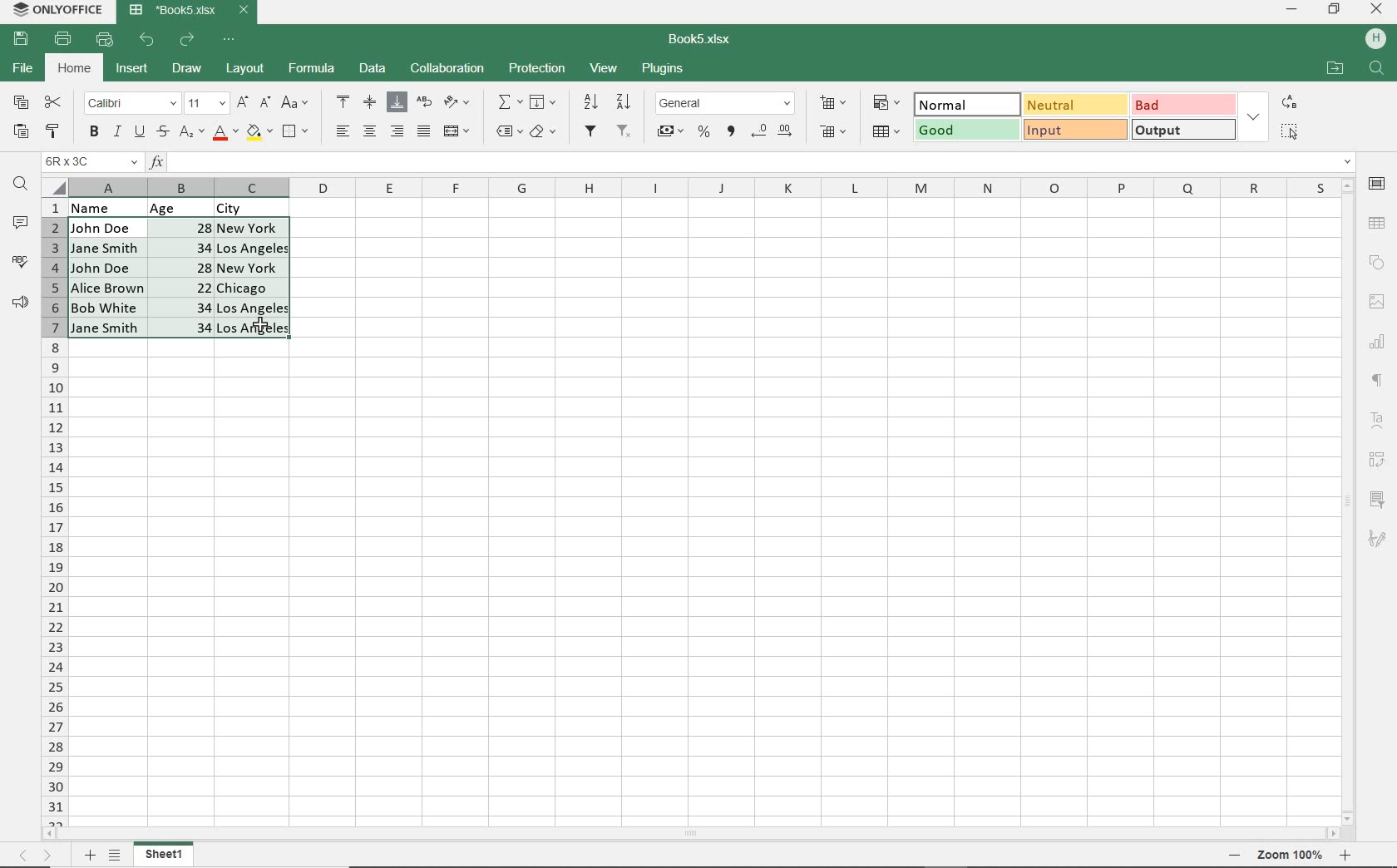 The image size is (1397, 868). Describe the element at coordinates (296, 103) in the screenshot. I see `CHANGE CASE` at that location.